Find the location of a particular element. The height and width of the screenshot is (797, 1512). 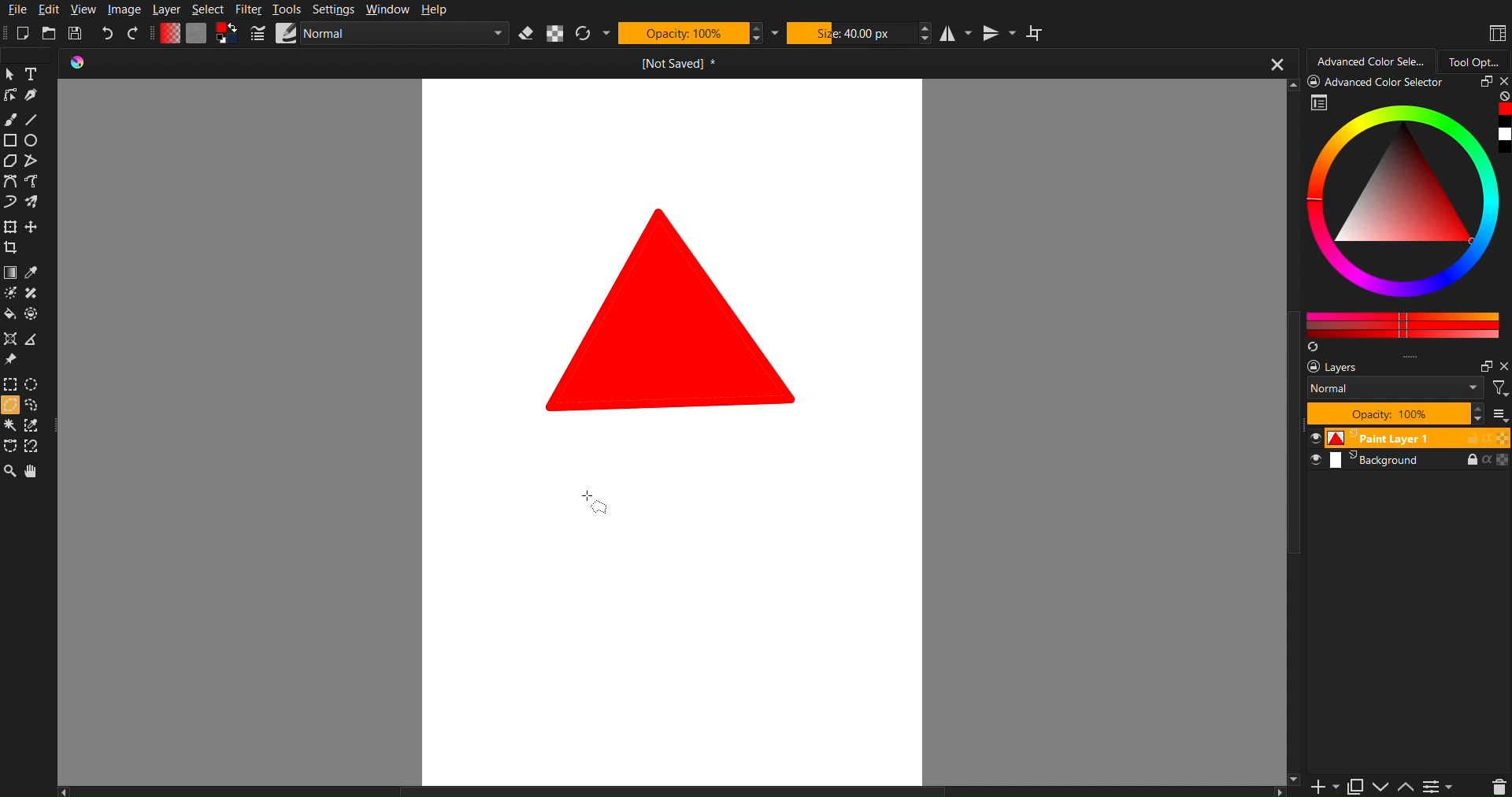

Color Settings is located at coordinates (199, 34).